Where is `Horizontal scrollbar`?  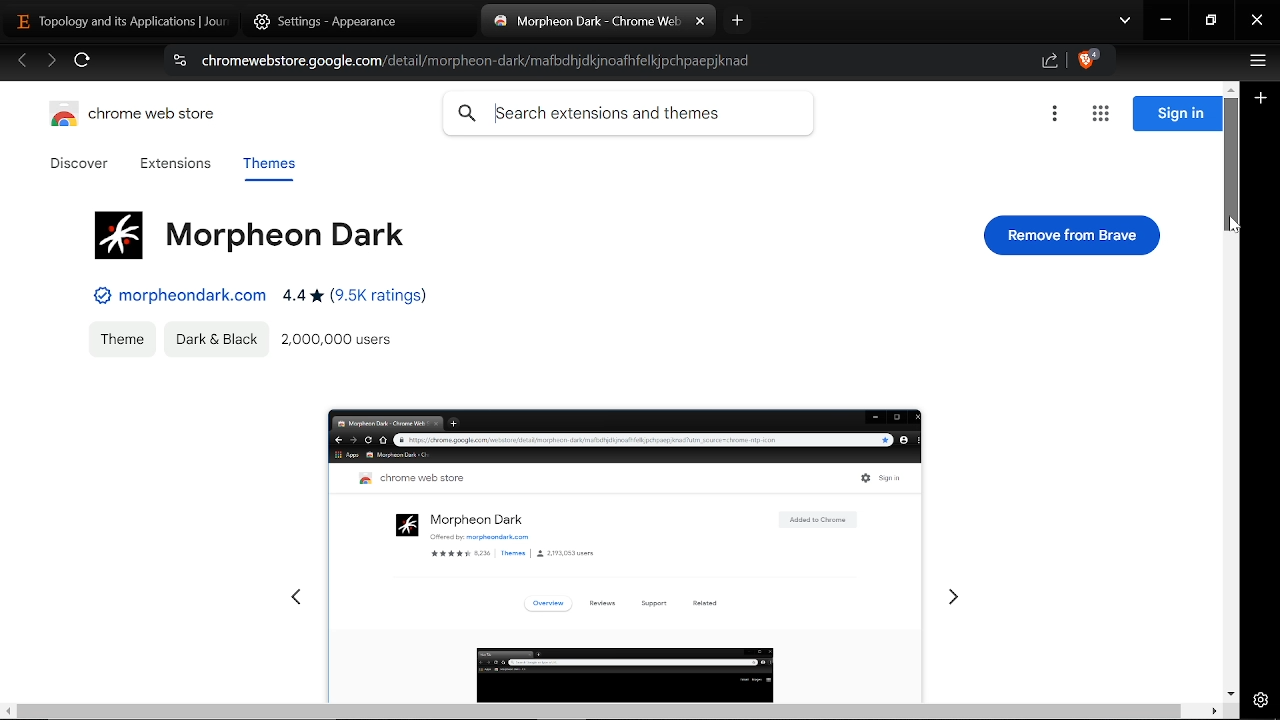
Horizontal scrollbar is located at coordinates (599, 711).